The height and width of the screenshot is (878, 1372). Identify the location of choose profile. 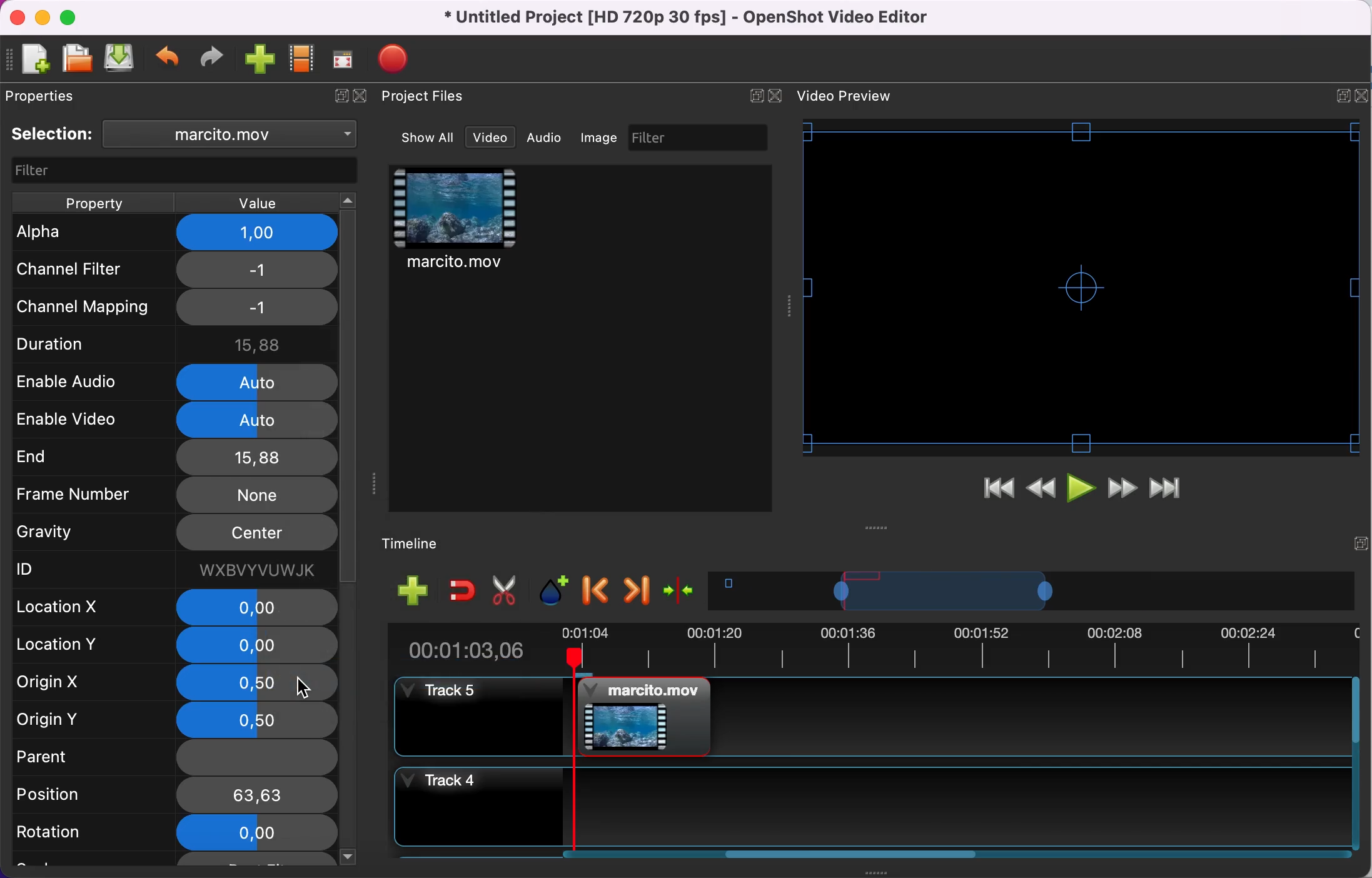
(303, 59).